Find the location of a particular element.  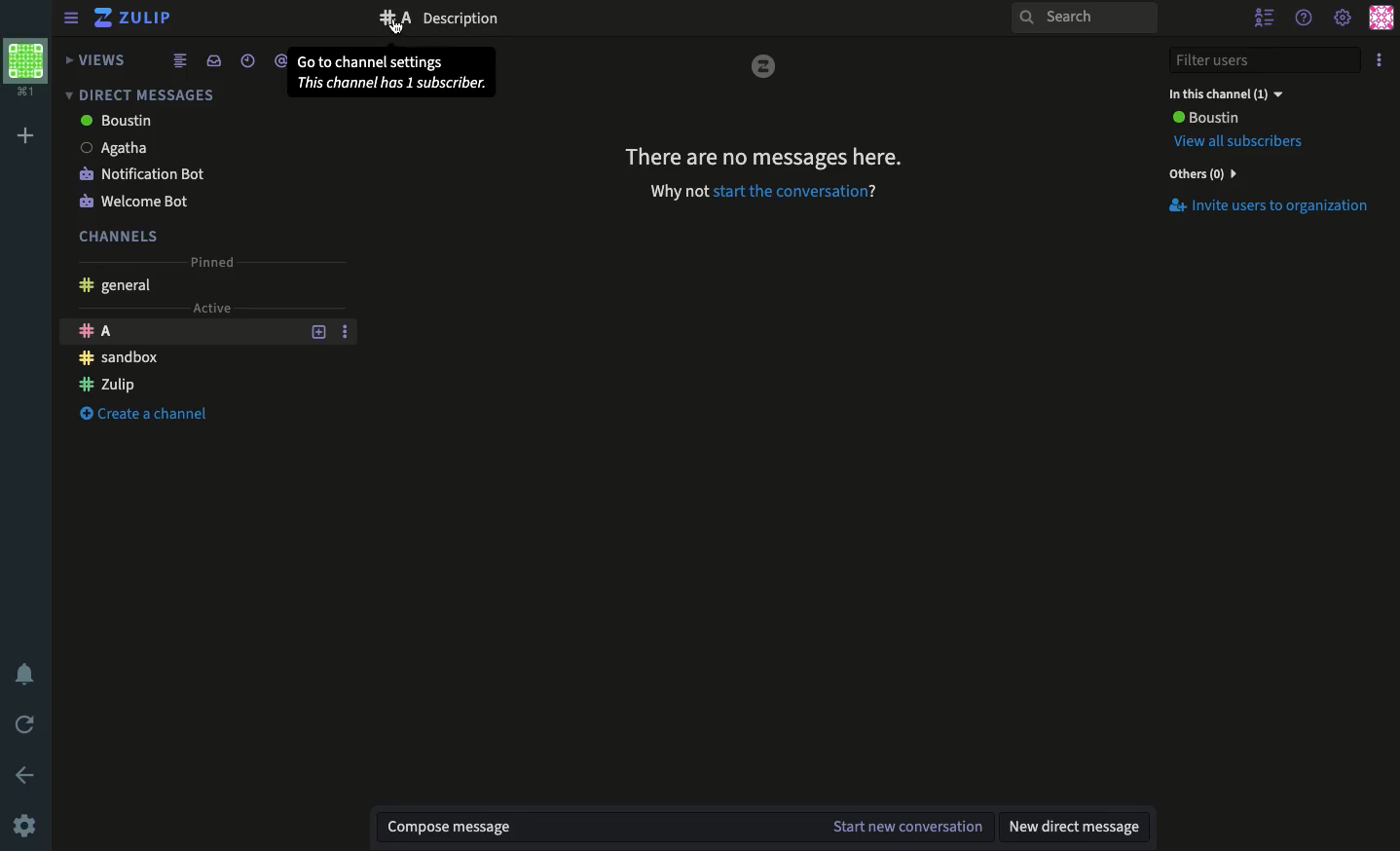

Notification is located at coordinates (25, 676).